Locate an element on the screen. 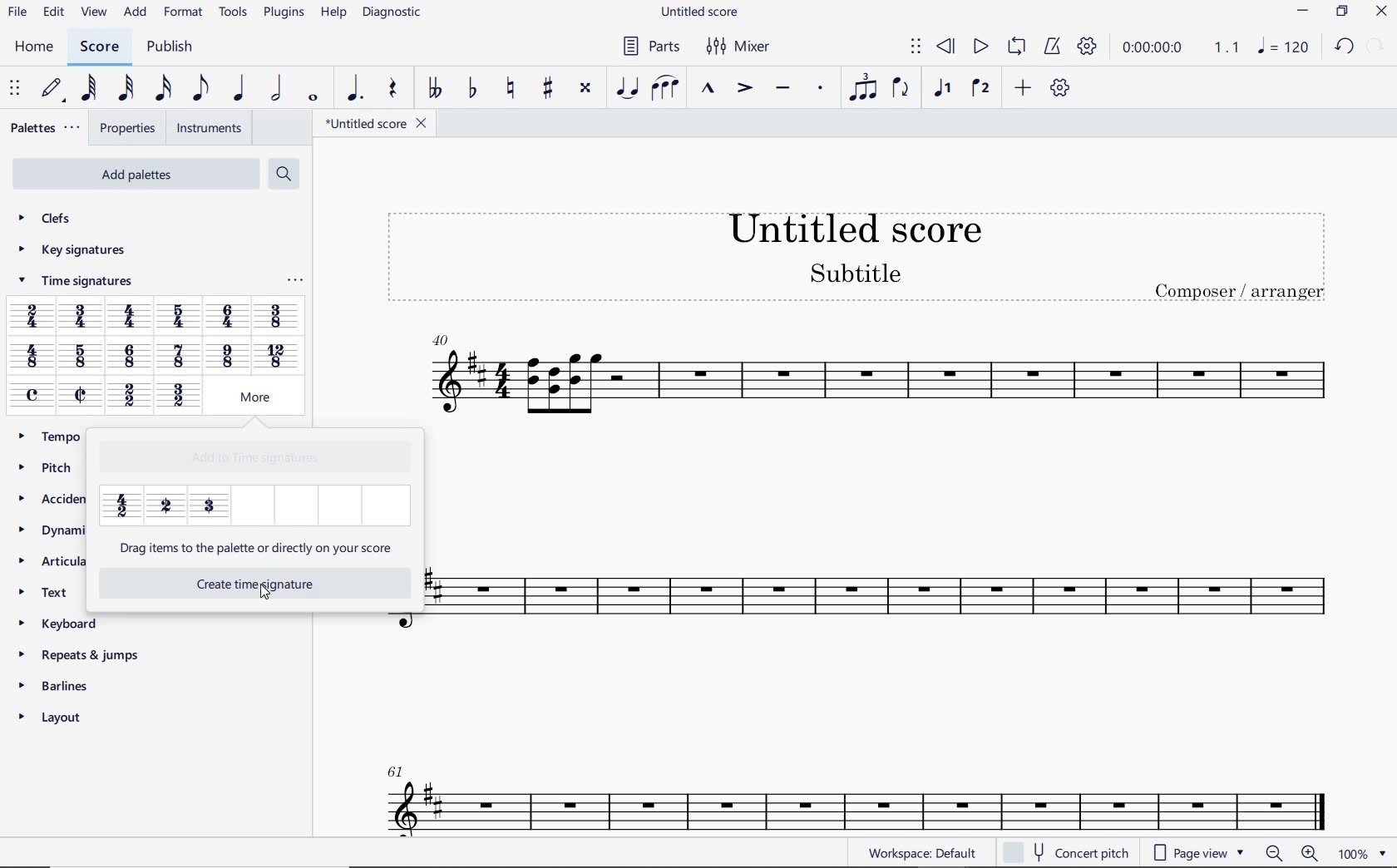  HOME is located at coordinates (35, 47).